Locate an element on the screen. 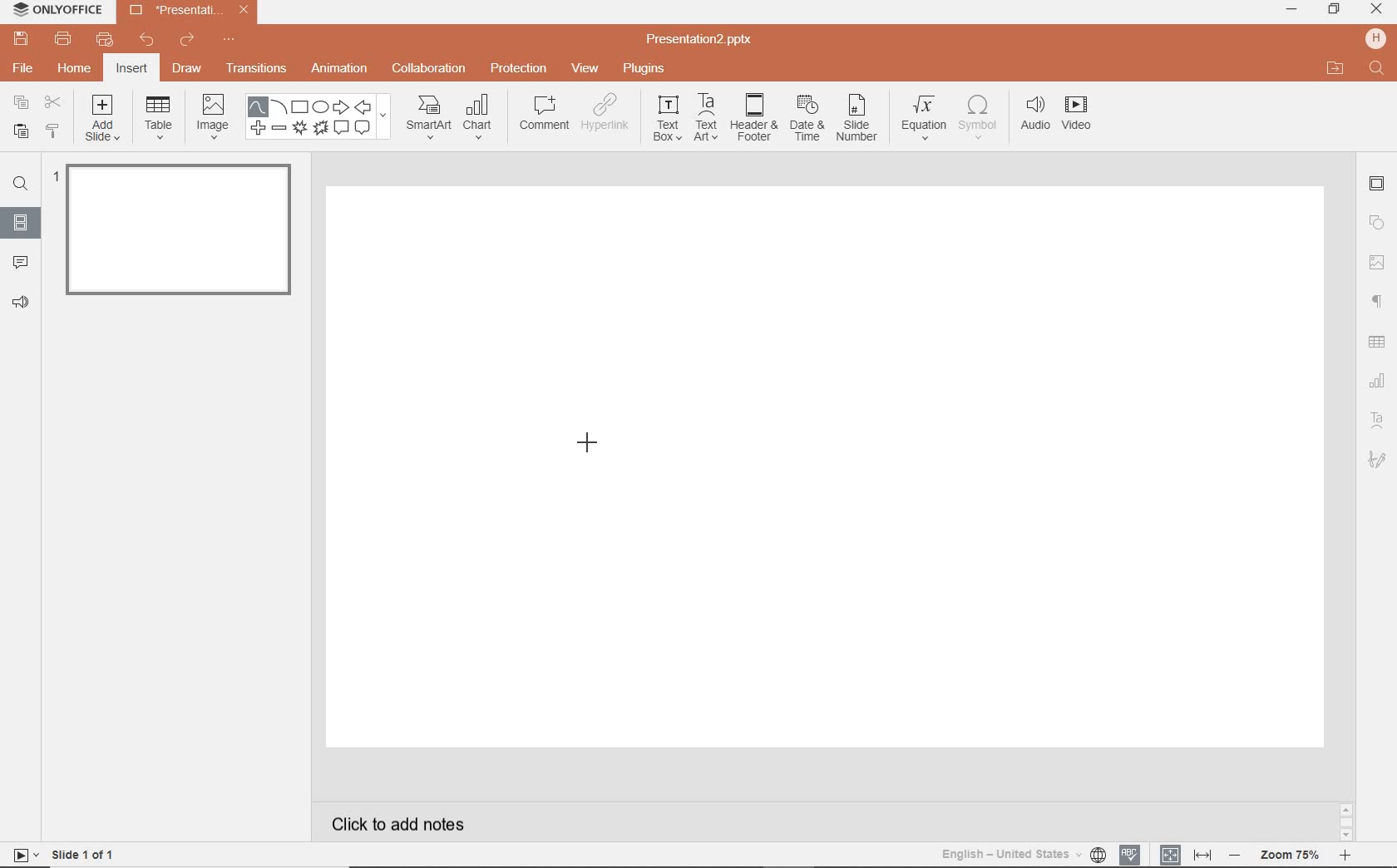  TABLE is located at coordinates (159, 119).